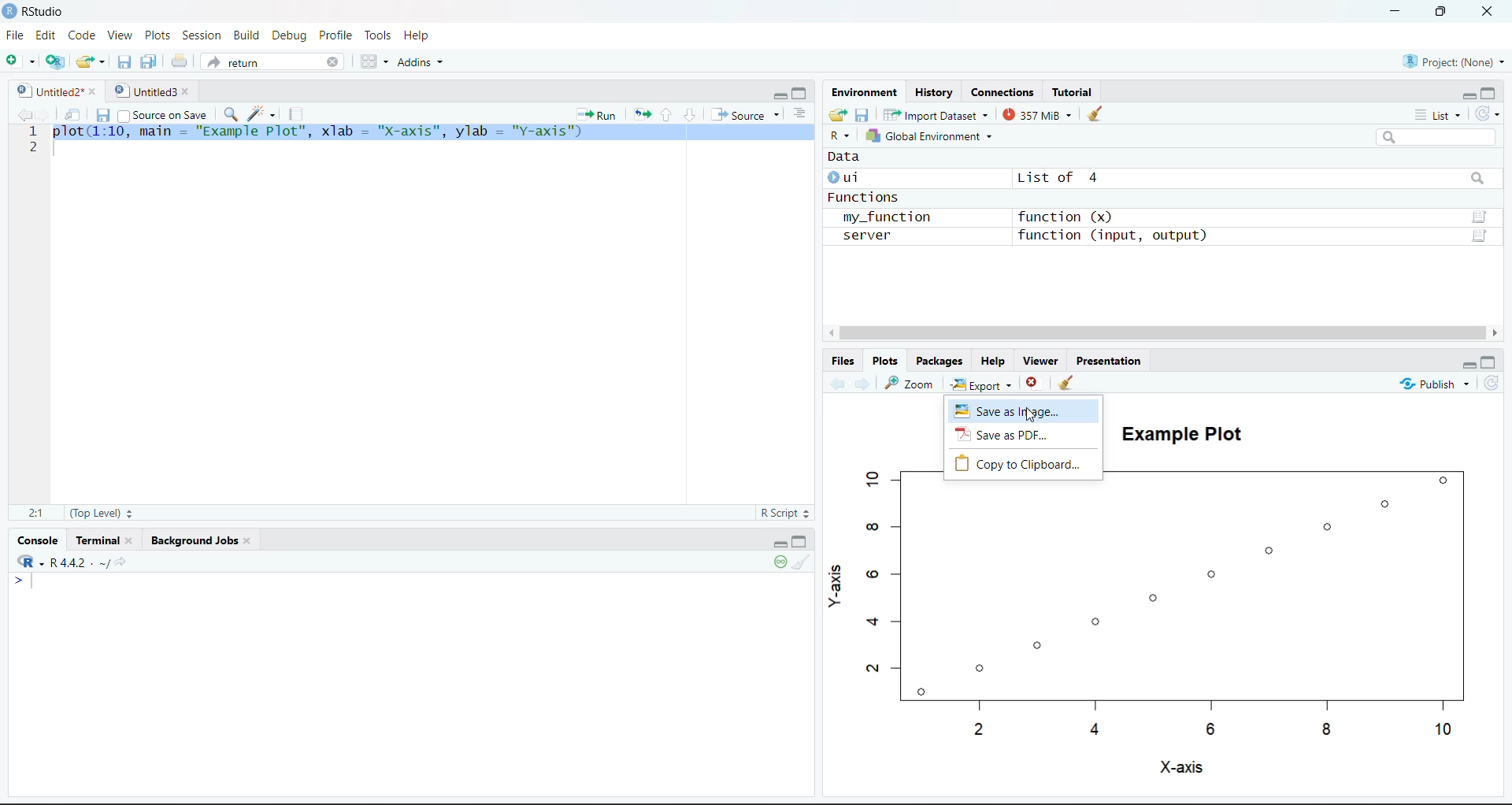 Image resolution: width=1512 pixels, height=805 pixels. Describe the element at coordinates (46, 35) in the screenshot. I see `Edit` at that location.